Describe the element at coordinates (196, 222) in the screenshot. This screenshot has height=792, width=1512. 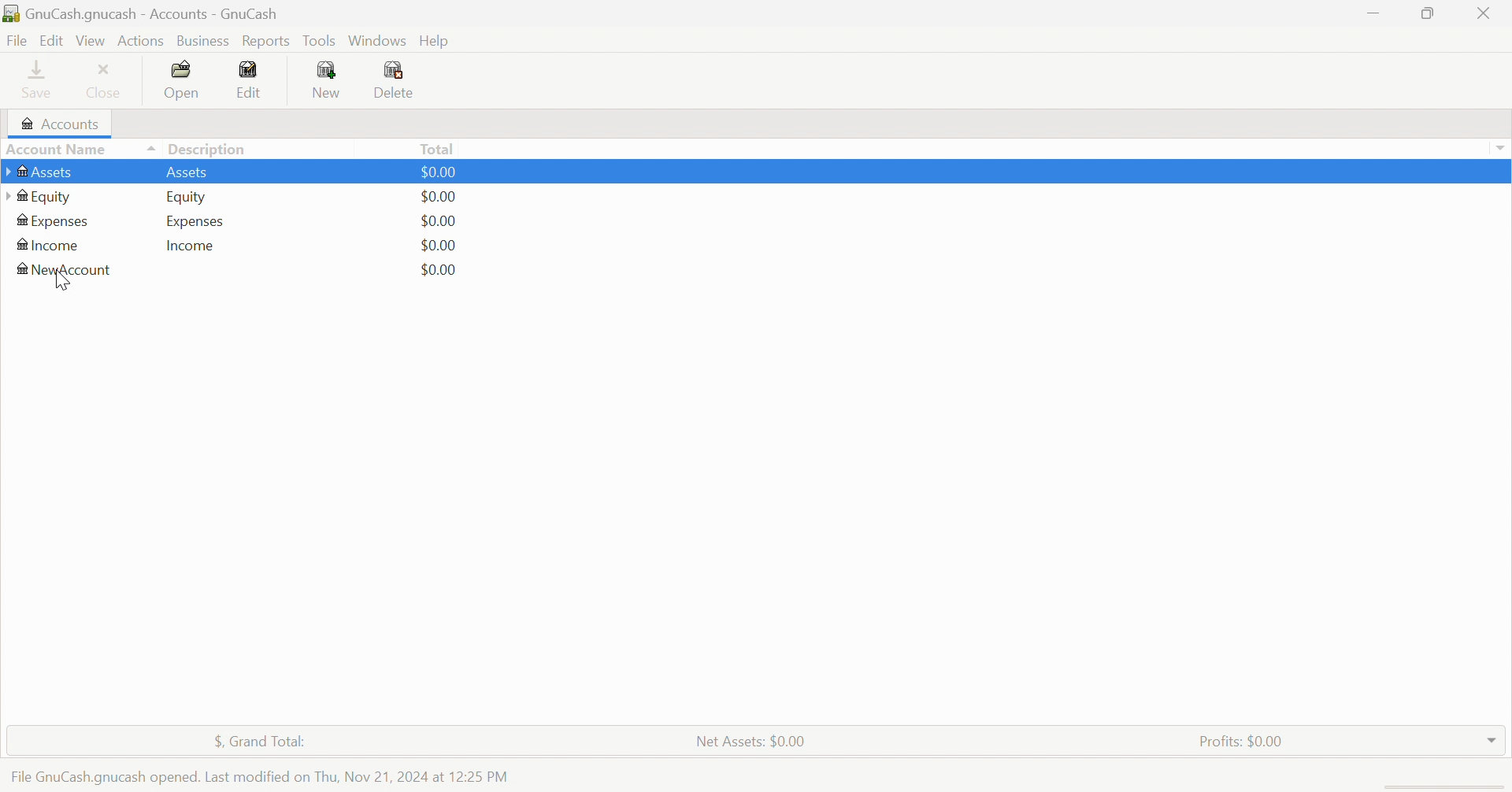
I see `Expenses` at that location.